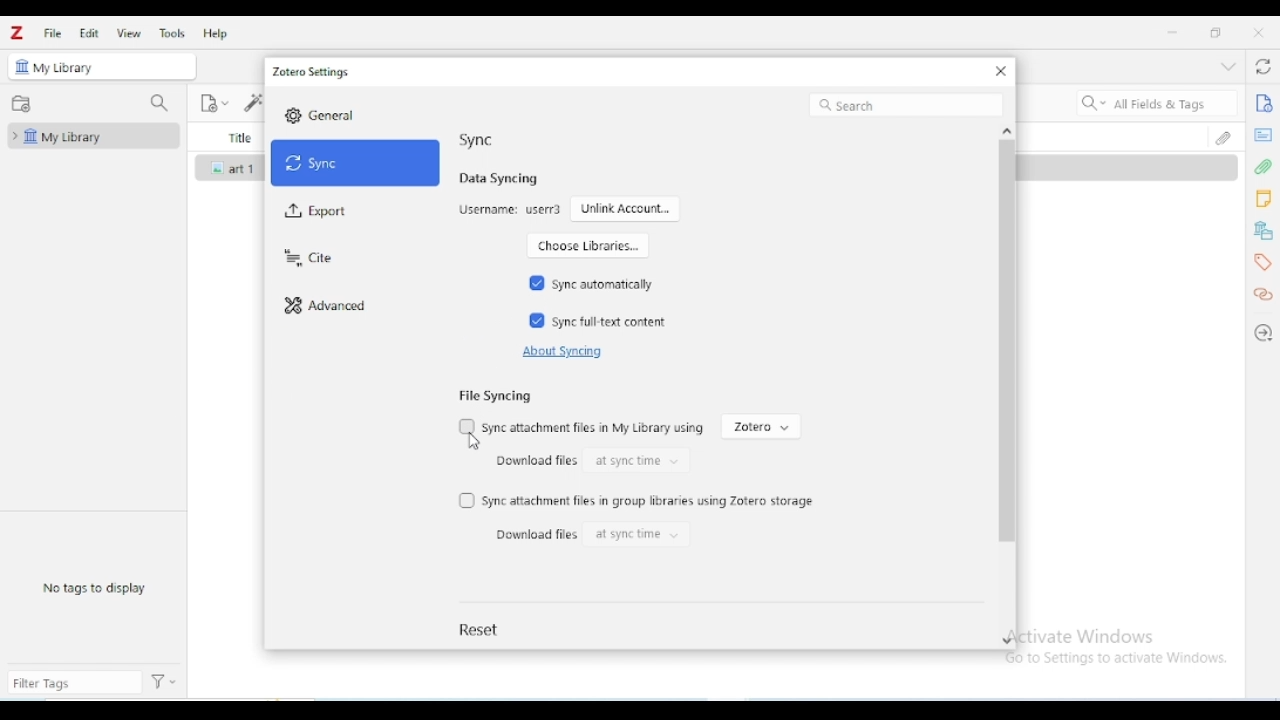 The image size is (1280, 720). I want to click on my library, so click(91, 136).